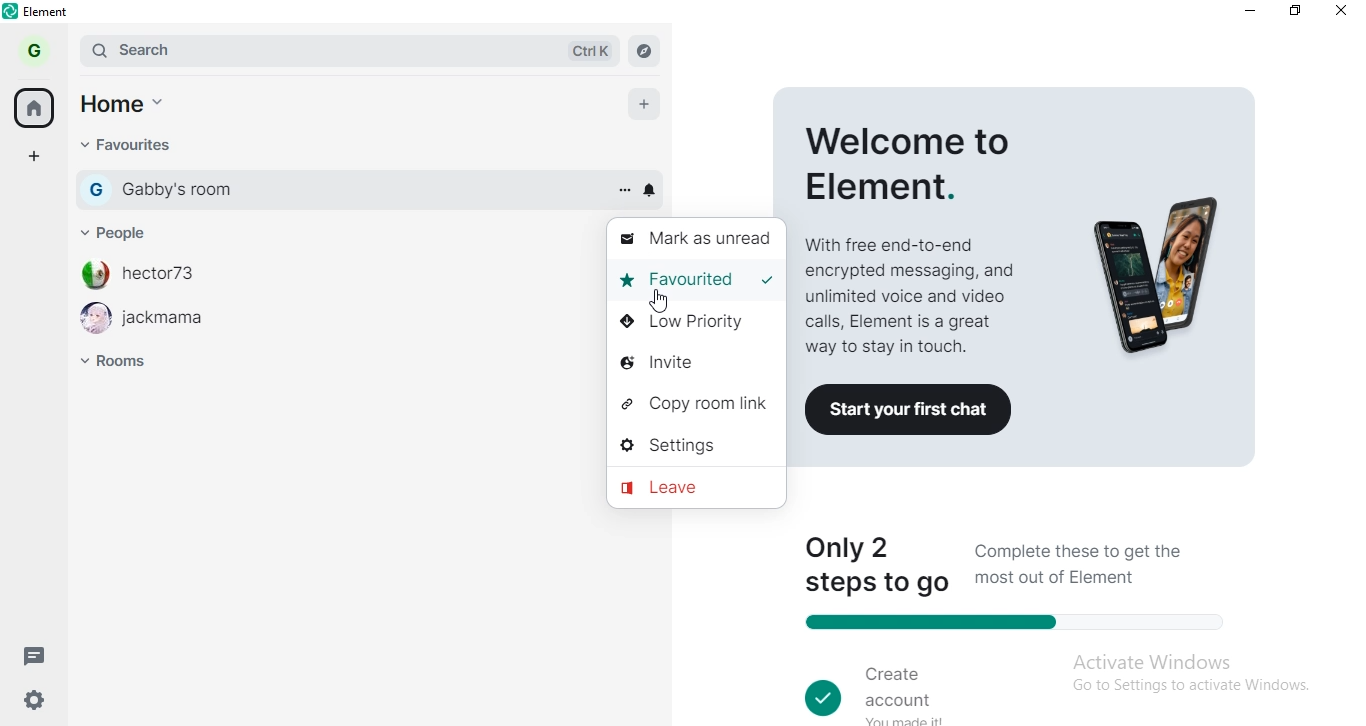 This screenshot has height=726, width=1366. What do you see at coordinates (49, 11) in the screenshot?
I see `element` at bounding box center [49, 11].